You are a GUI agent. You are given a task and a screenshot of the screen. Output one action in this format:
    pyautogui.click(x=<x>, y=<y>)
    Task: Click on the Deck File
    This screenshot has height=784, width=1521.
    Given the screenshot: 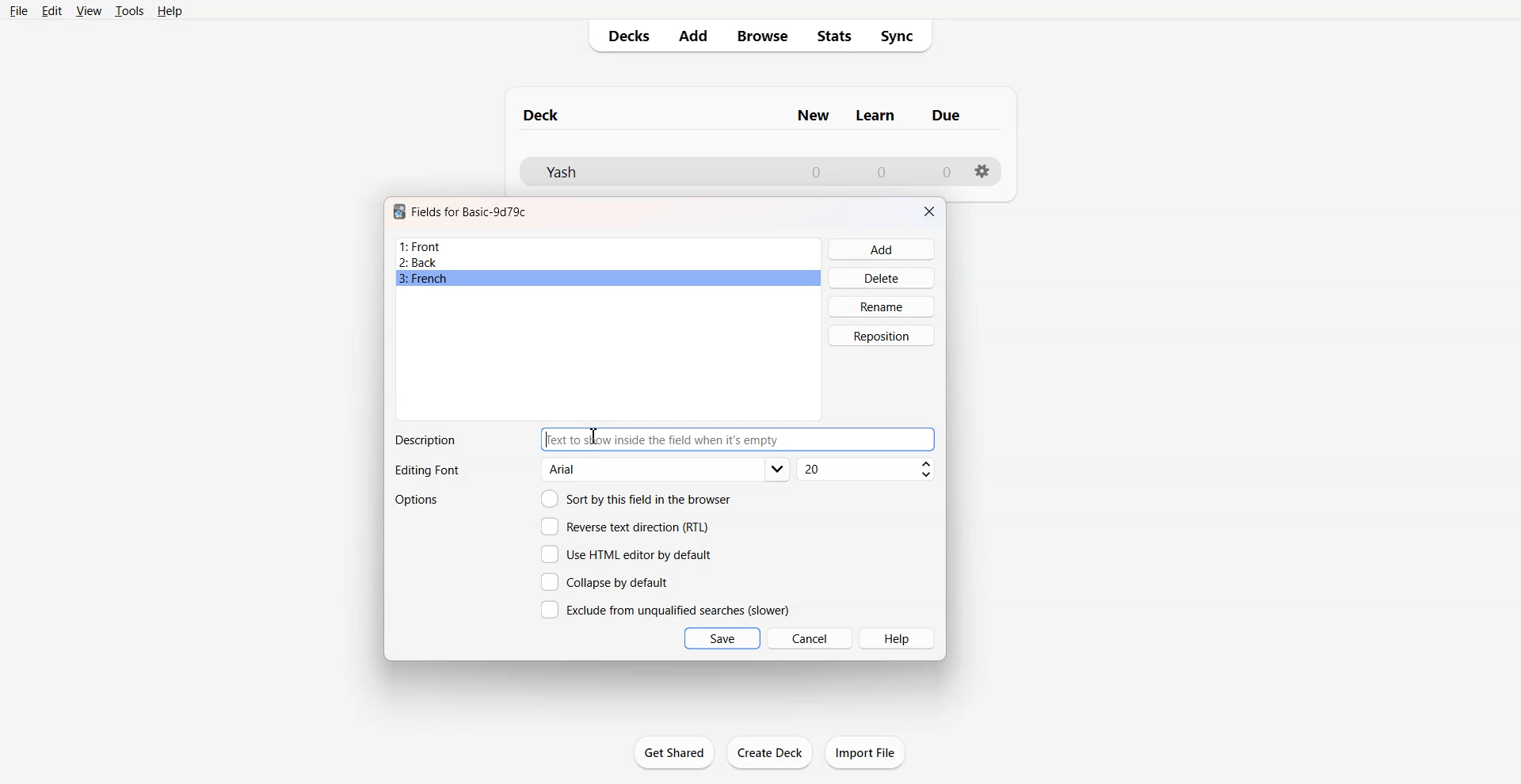 What is the action you would take?
    pyautogui.click(x=650, y=172)
    